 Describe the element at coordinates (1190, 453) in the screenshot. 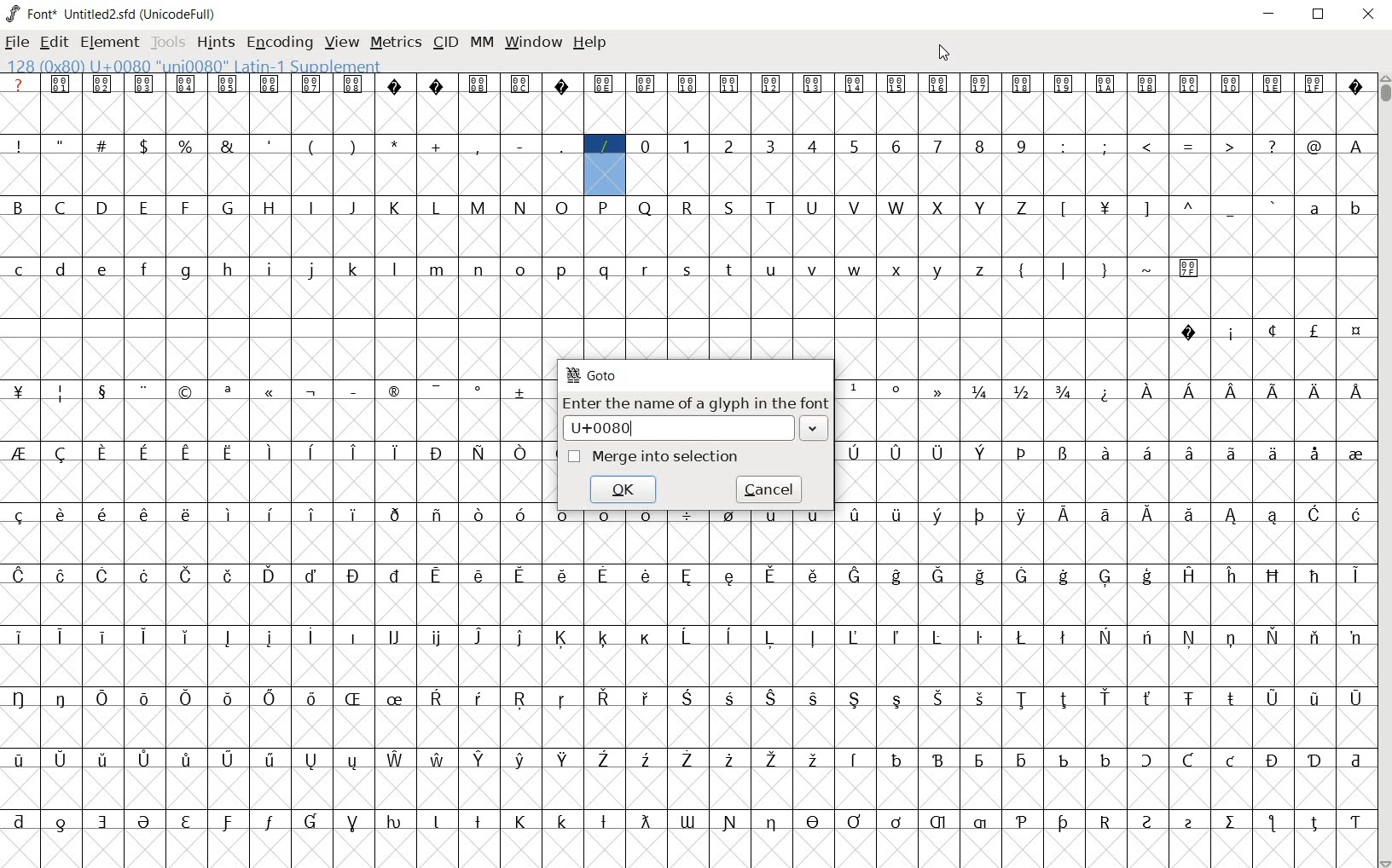

I see `glyph` at that location.